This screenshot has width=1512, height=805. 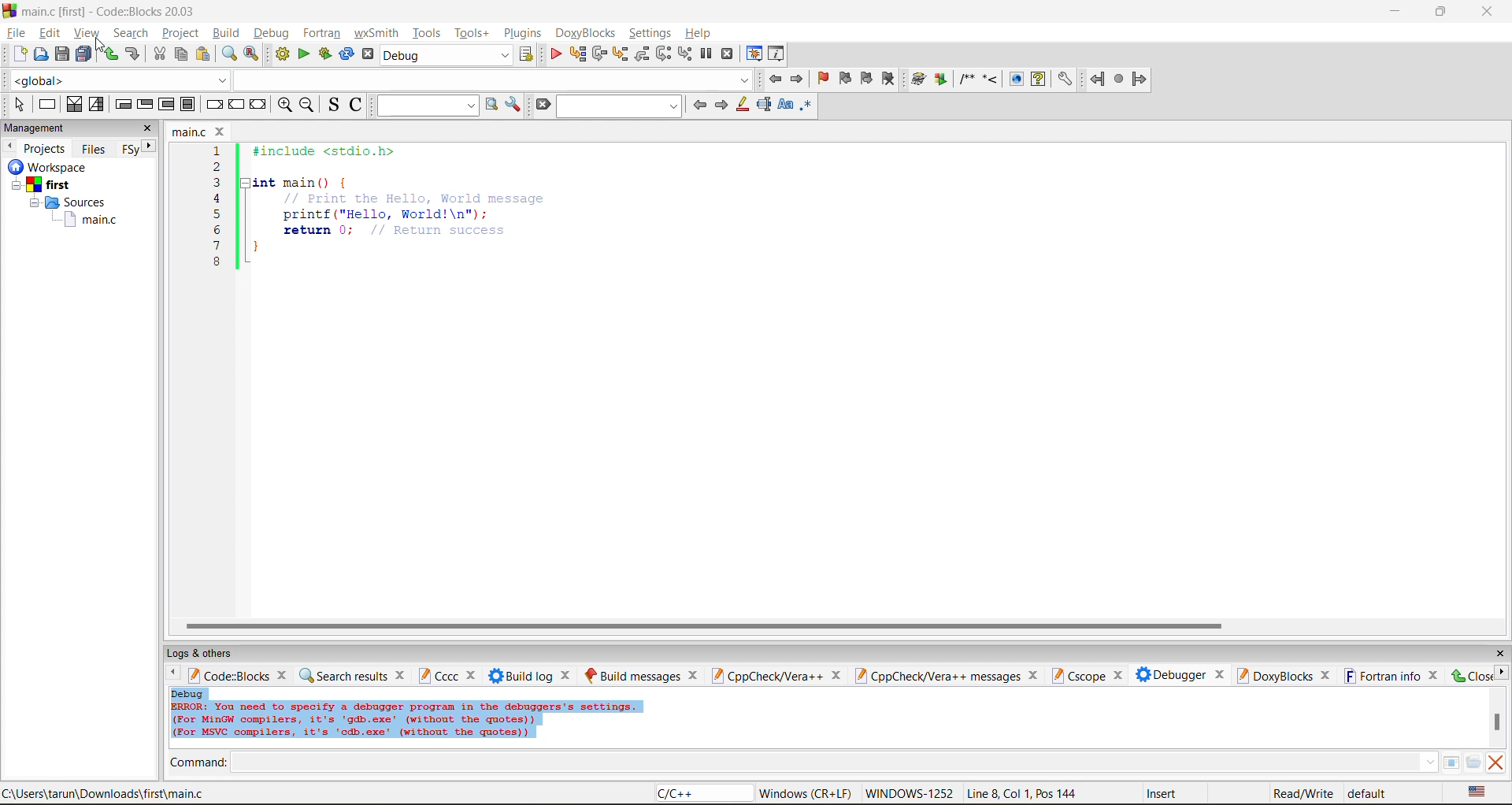 I want to click on undo, so click(x=108, y=54).